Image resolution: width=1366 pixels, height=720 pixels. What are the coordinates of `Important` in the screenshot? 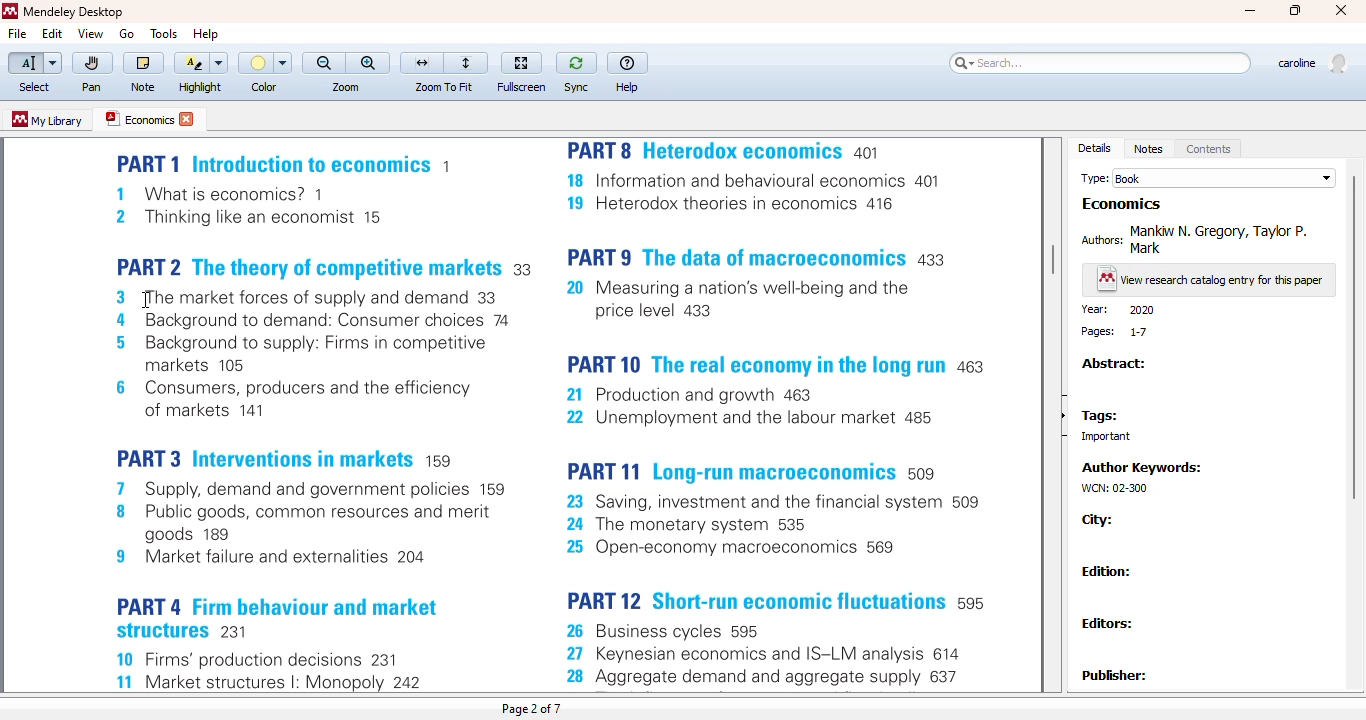 It's located at (1104, 435).